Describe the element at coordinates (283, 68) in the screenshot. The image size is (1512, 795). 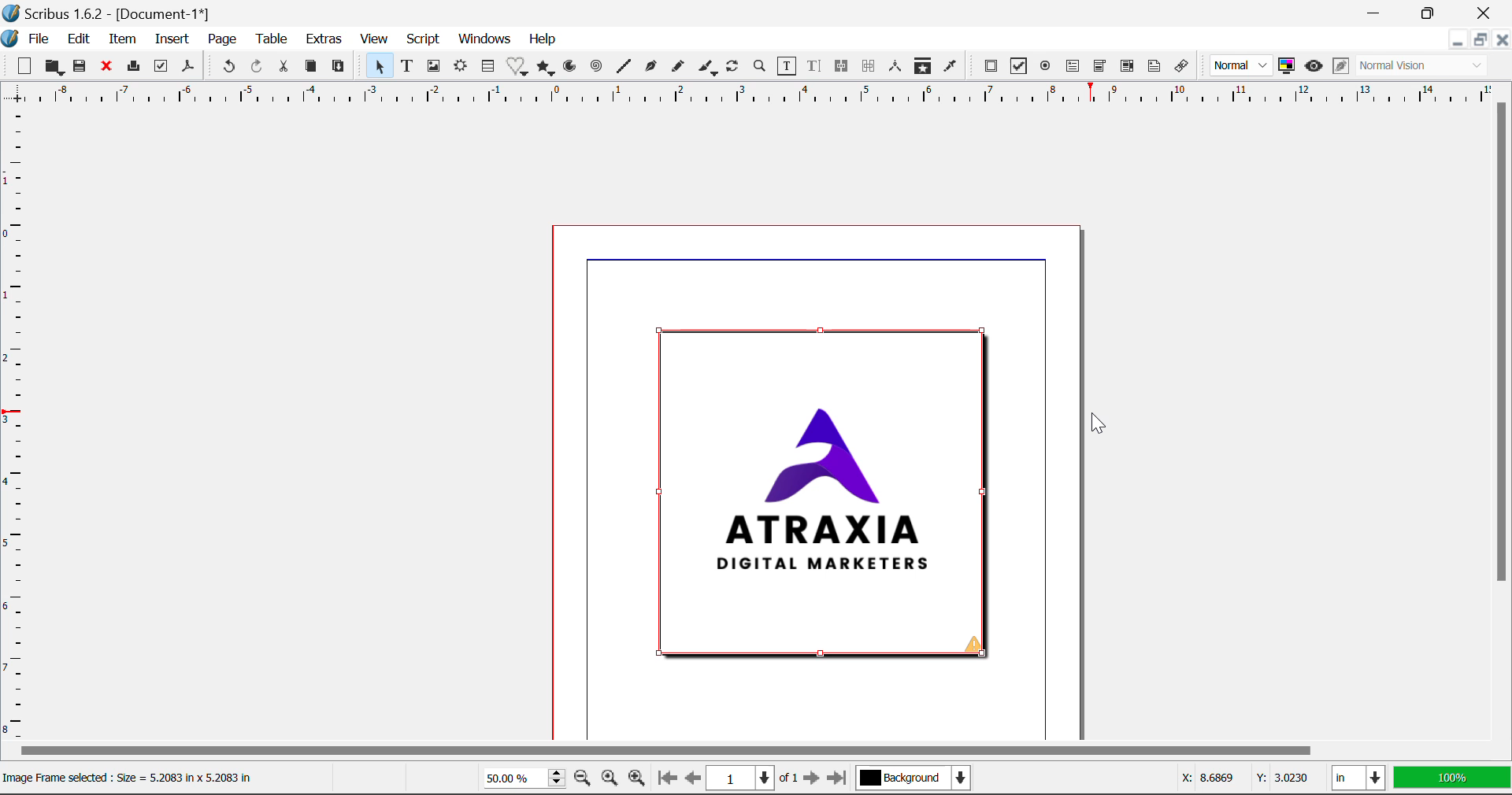
I see `Cut` at that location.